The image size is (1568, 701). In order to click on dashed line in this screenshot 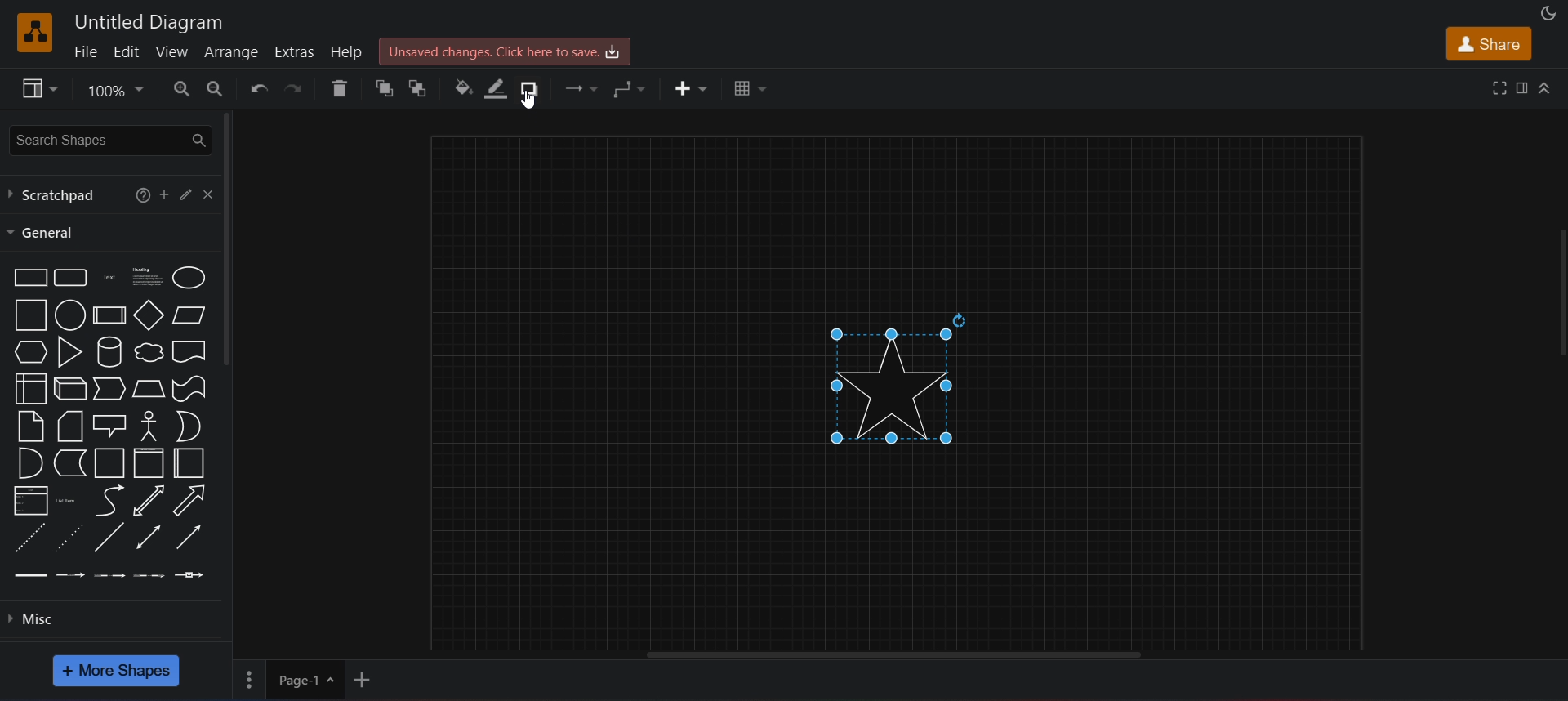, I will do `click(29, 536)`.